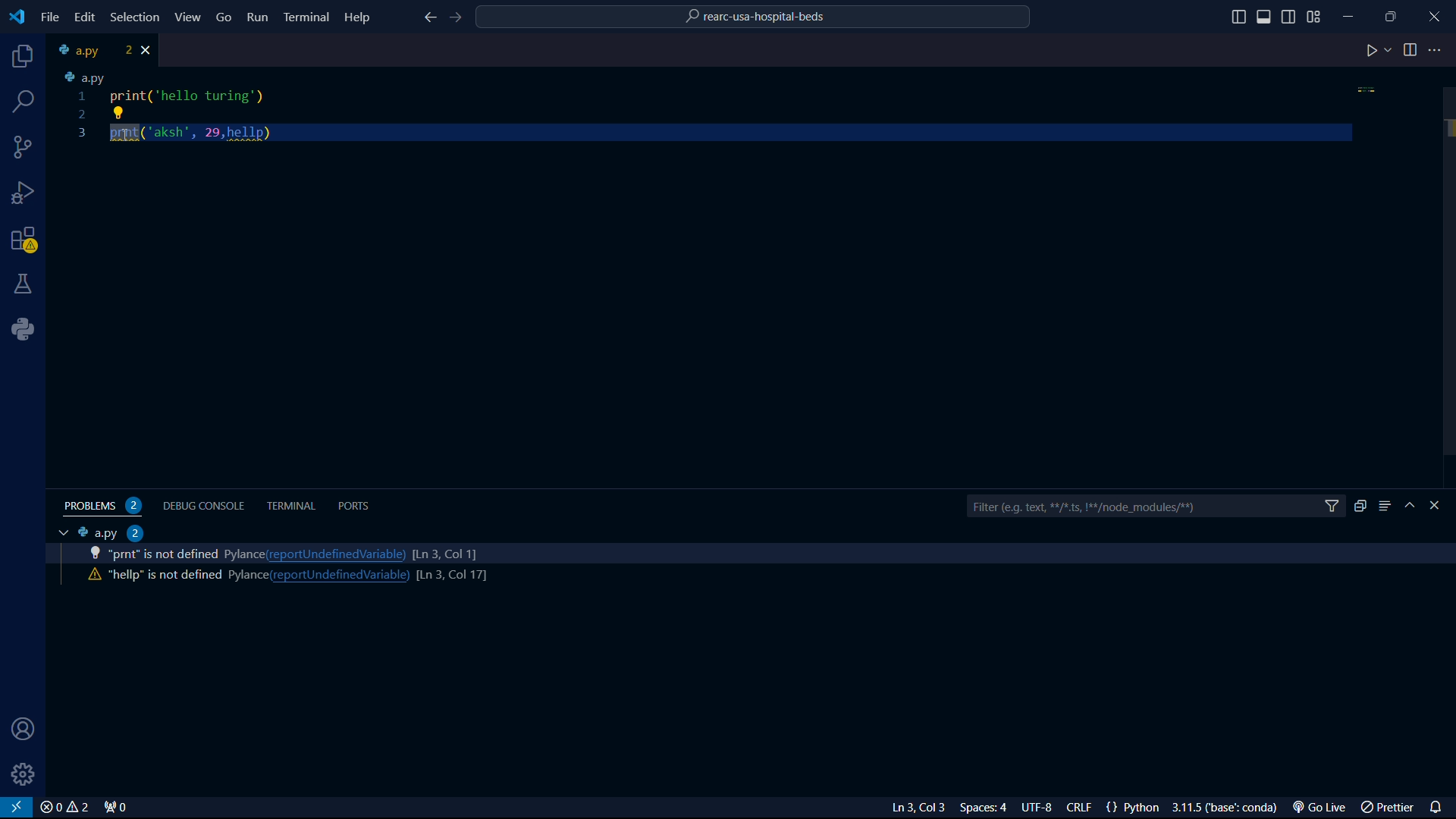  Describe the element at coordinates (1353, 13) in the screenshot. I see `minimize` at that location.